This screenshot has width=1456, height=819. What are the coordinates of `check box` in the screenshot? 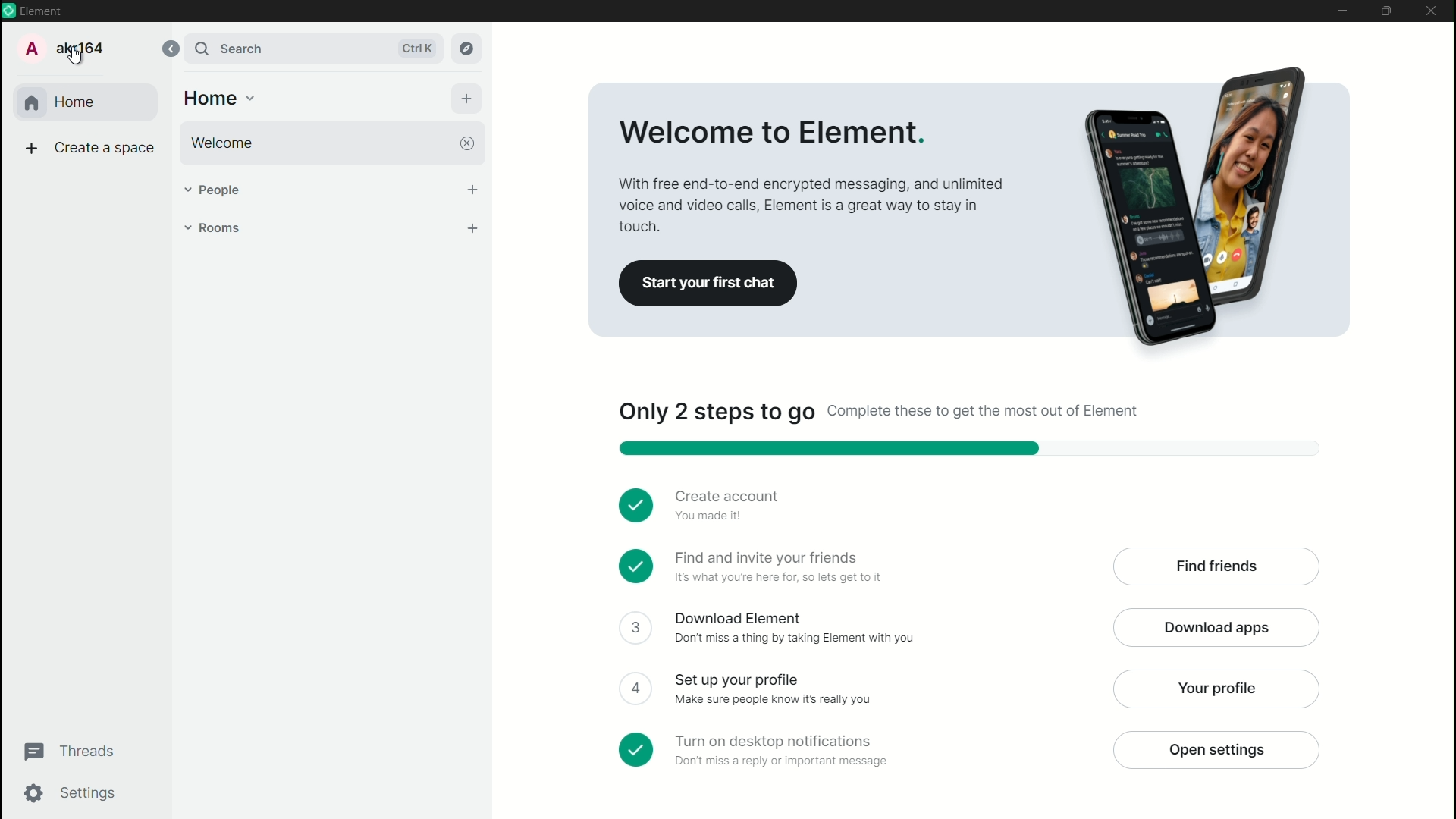 It's located at (632, 629).